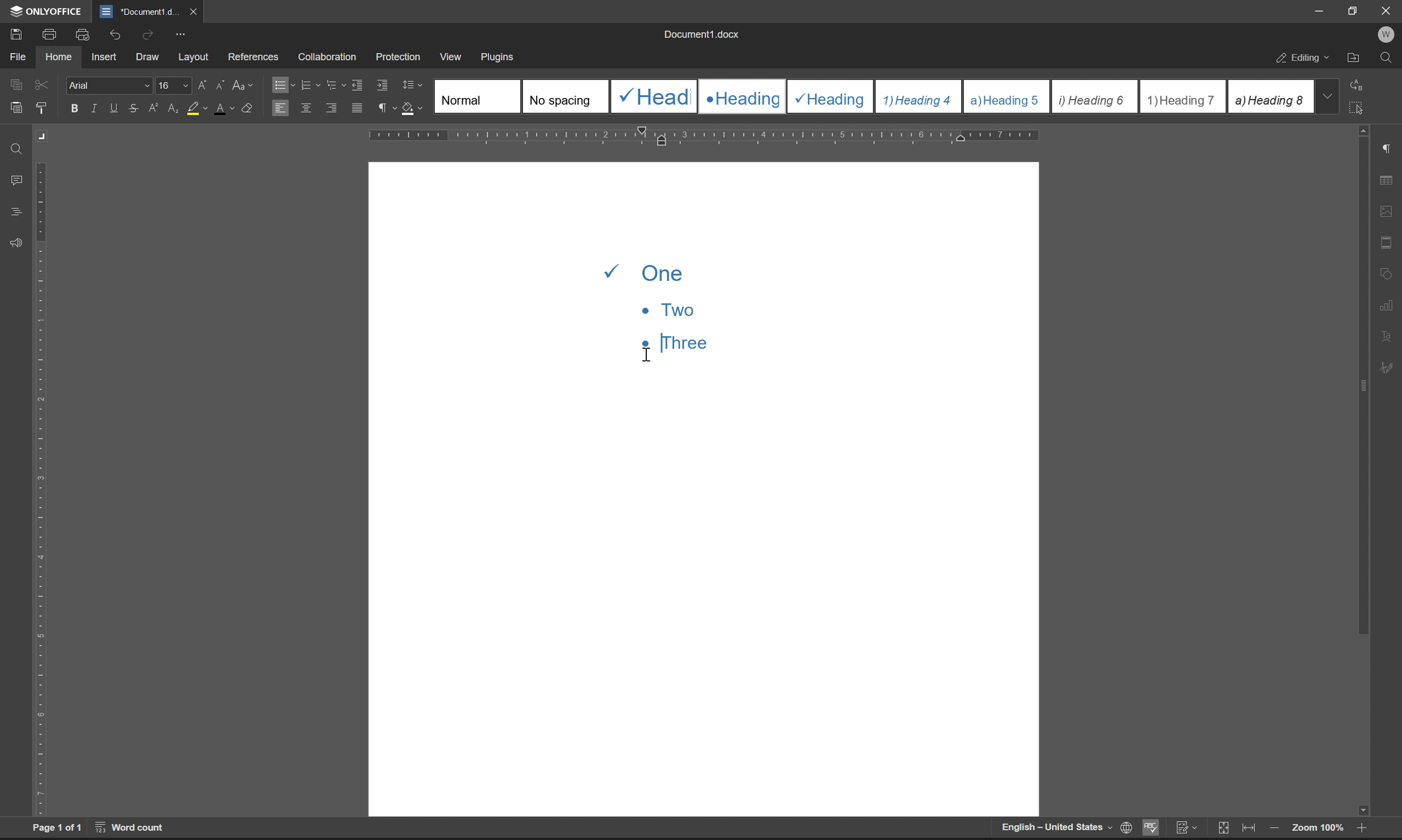 This screenshot has width=1402, height=840. What do you see at coordinates (41, 488) in the screenshot?
I see `ruler` at bounding box center [41, 488].